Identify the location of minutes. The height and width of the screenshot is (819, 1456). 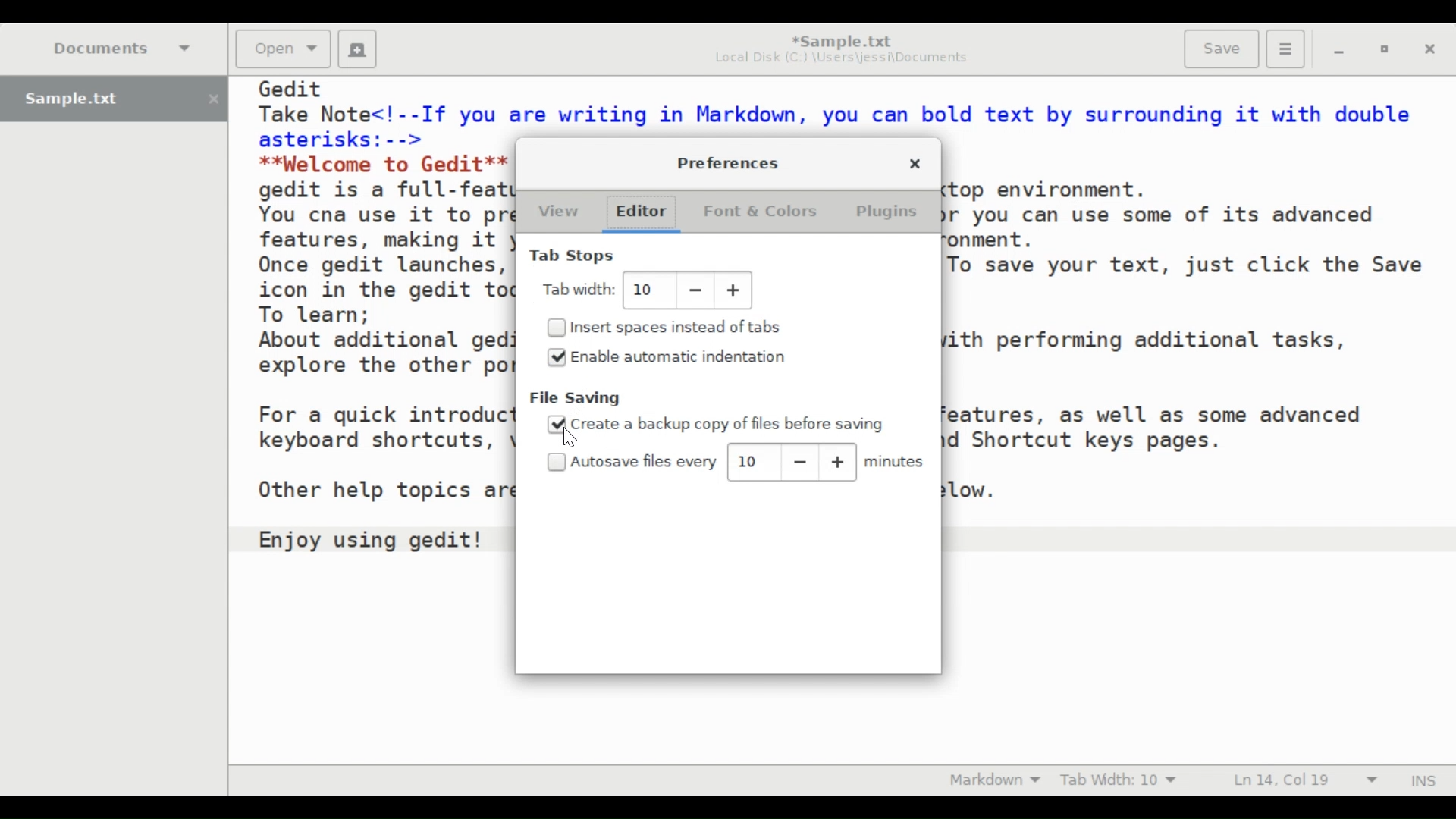
(897, 463).